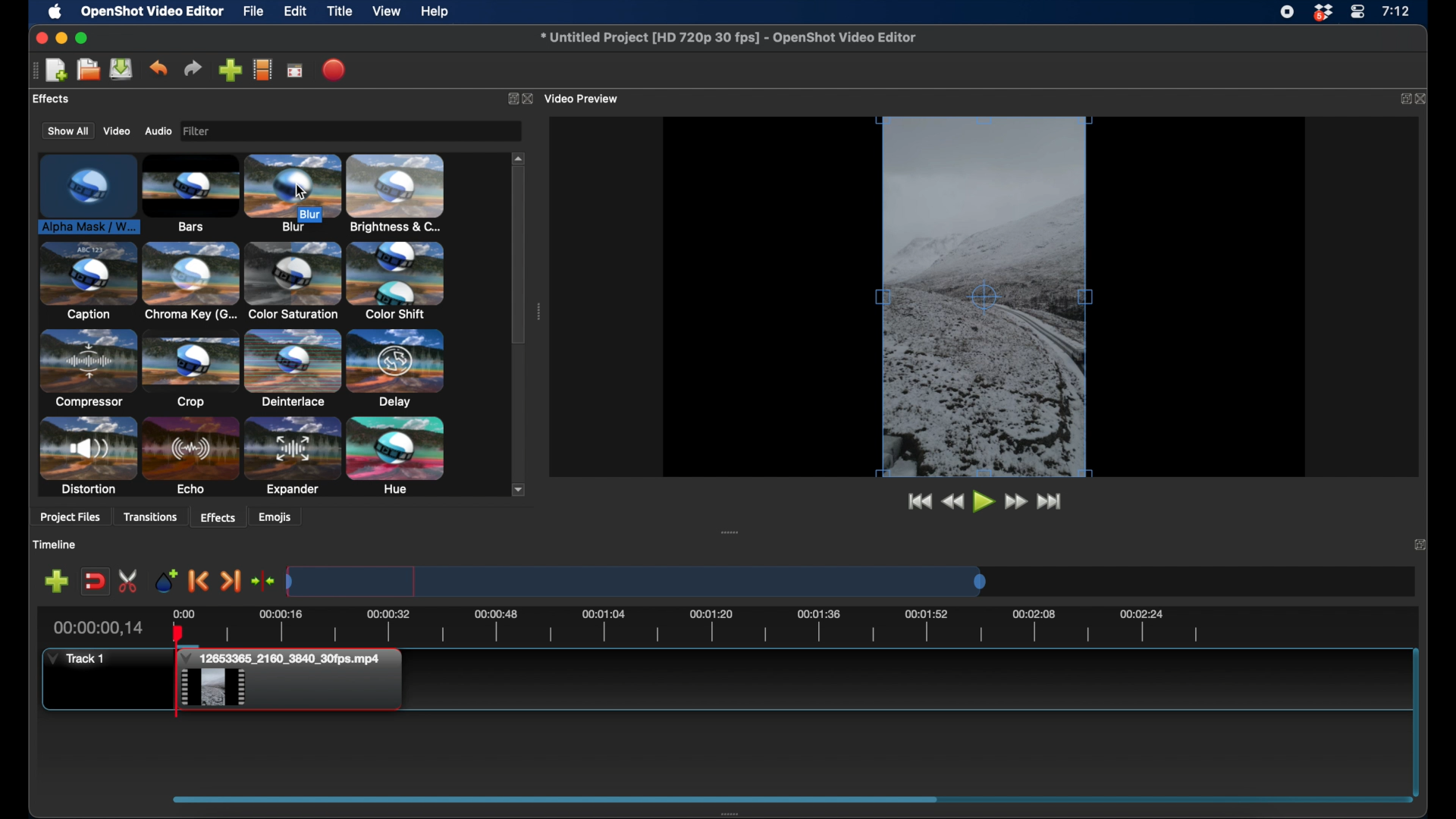  Describe the element at coordinates (191, 281) in the screenshot. I see `chroma key` at that location.